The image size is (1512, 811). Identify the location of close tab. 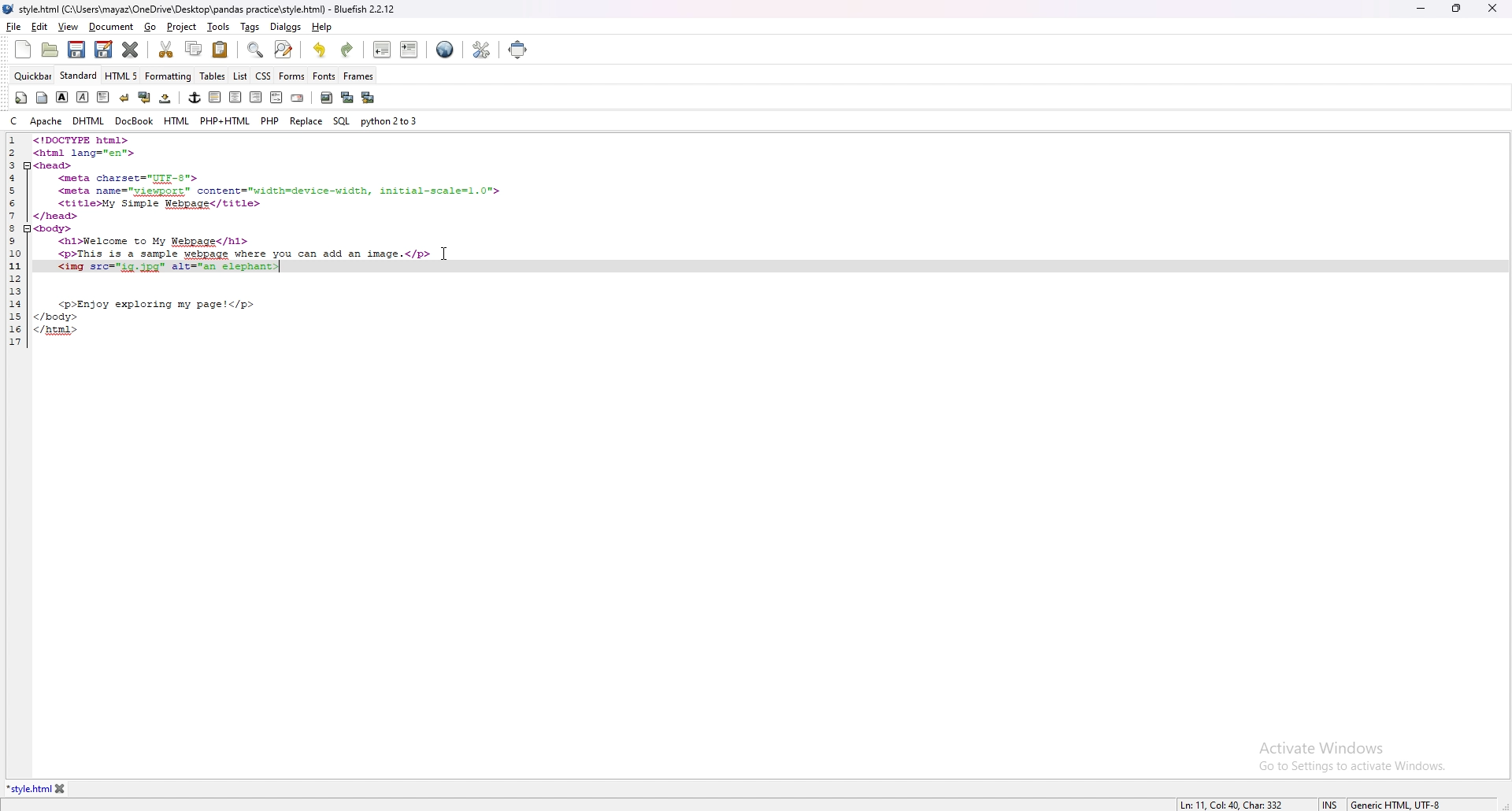
(63, 788).